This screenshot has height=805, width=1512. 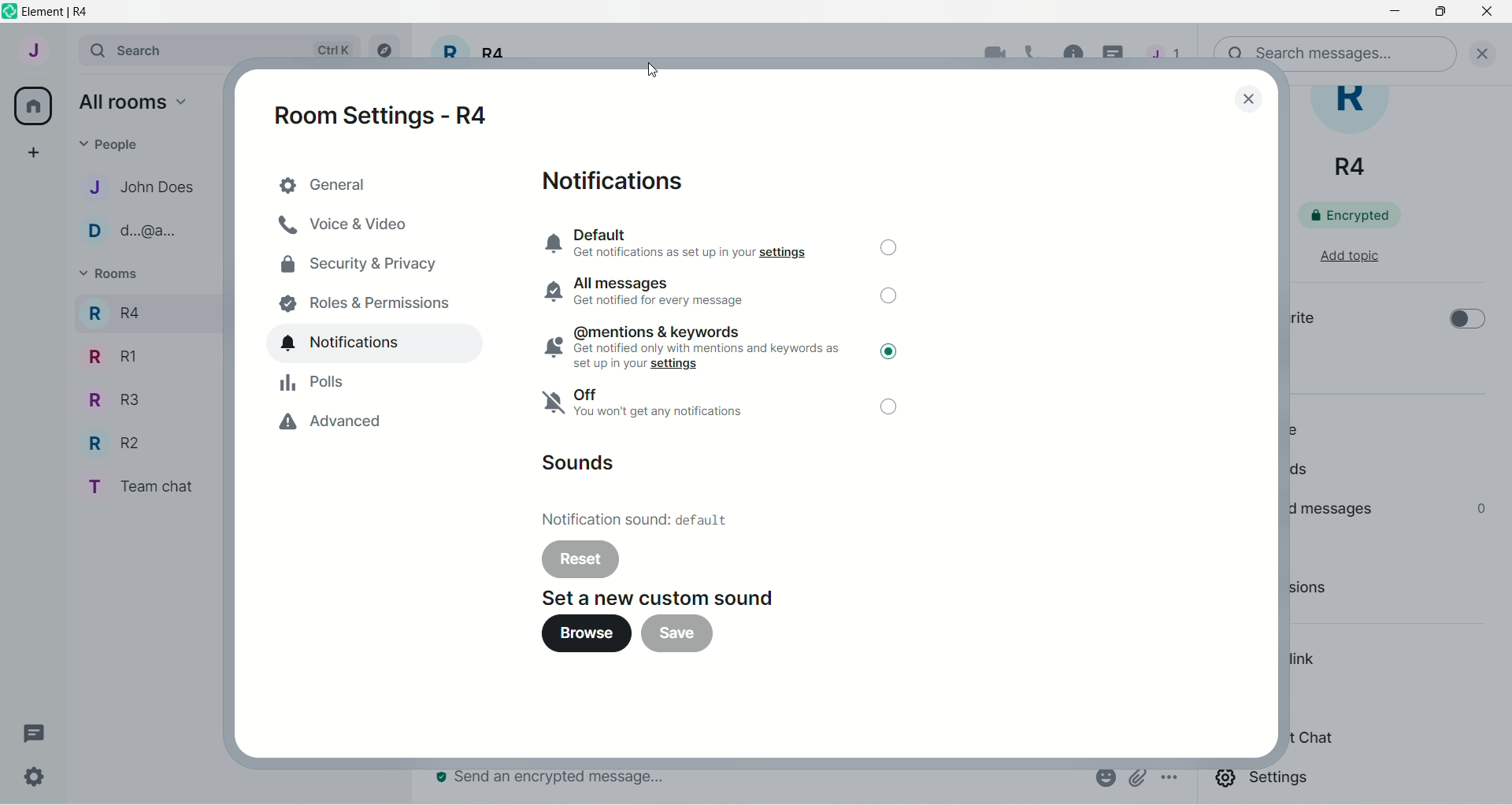 I want to click on cursor, so click(x=653, y=71).